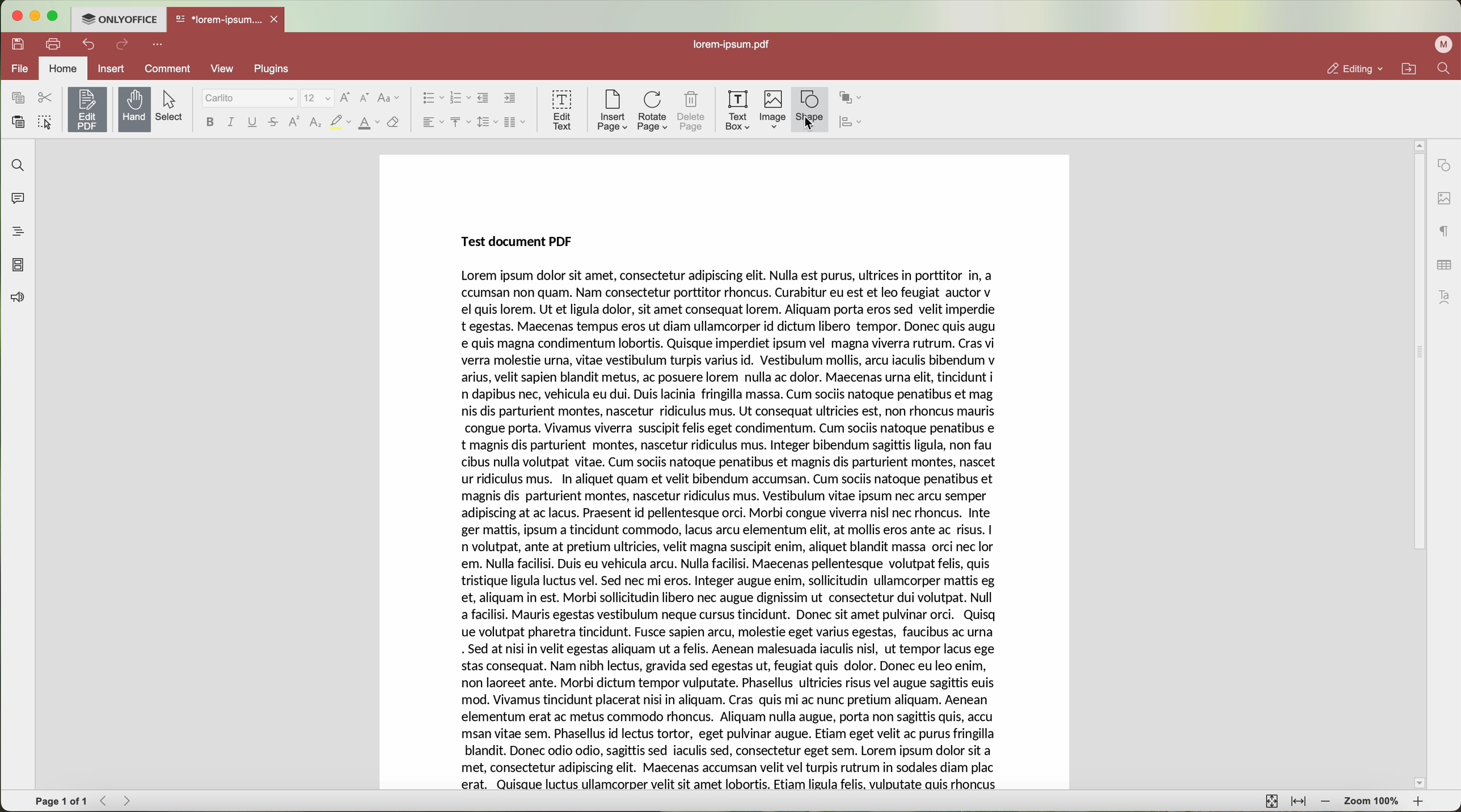  What do you see at coordinates (1300, 802) in the screenshot?
I see `fit to width` at bounding box center [1300, 802].